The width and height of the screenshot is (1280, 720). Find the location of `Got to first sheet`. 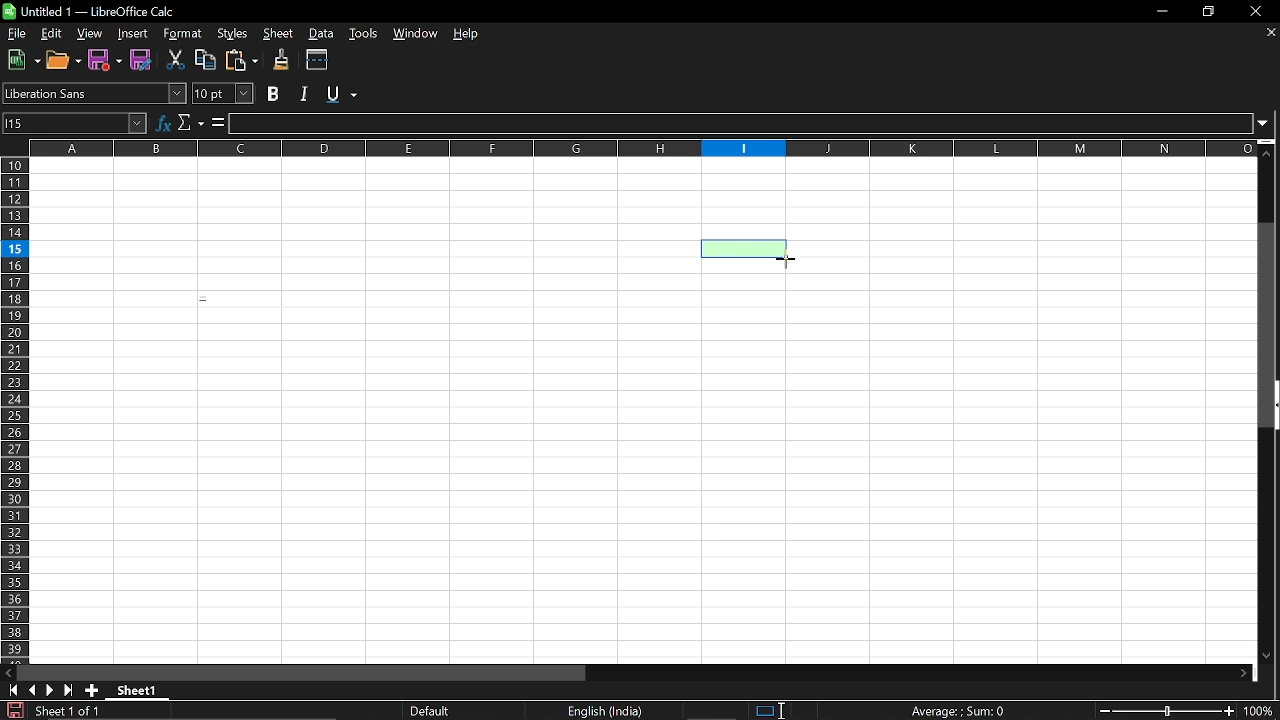

Got to first sheet is located at coordinates (14, 690).